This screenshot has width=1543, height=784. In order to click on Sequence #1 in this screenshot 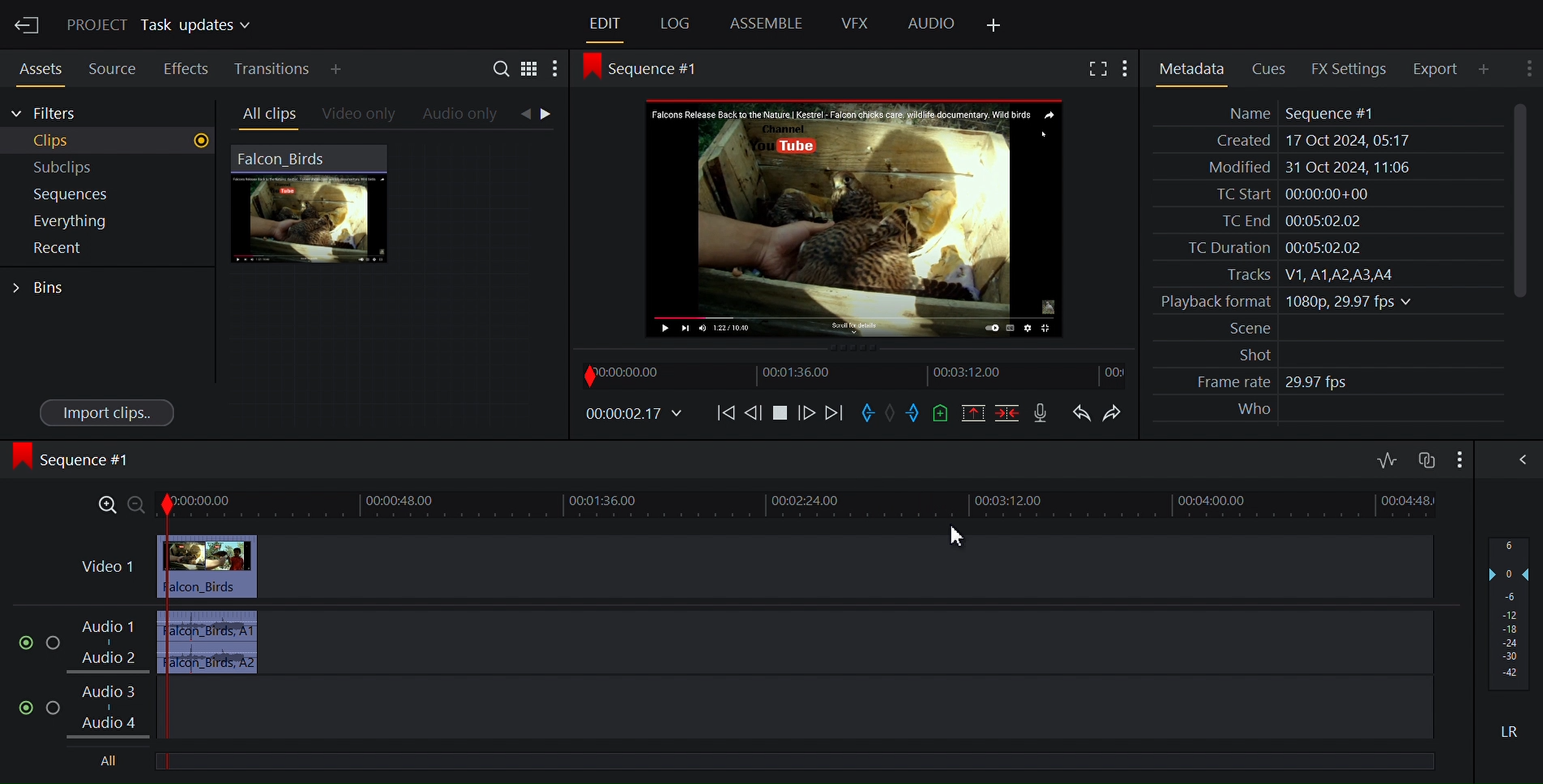, I will do `click(649, 71)`.